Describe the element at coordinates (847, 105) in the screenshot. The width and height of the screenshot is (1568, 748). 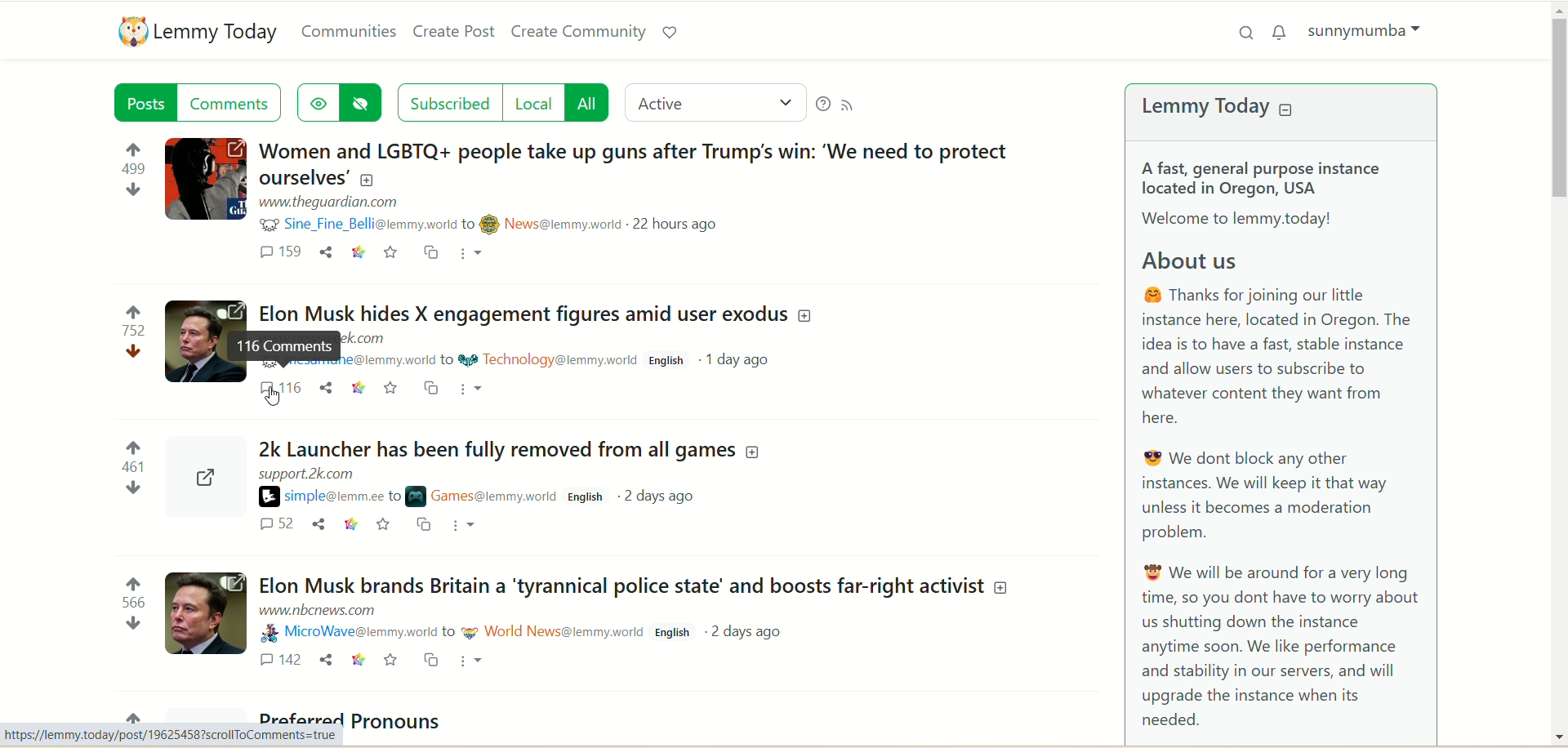
I see `RSS` at that location.